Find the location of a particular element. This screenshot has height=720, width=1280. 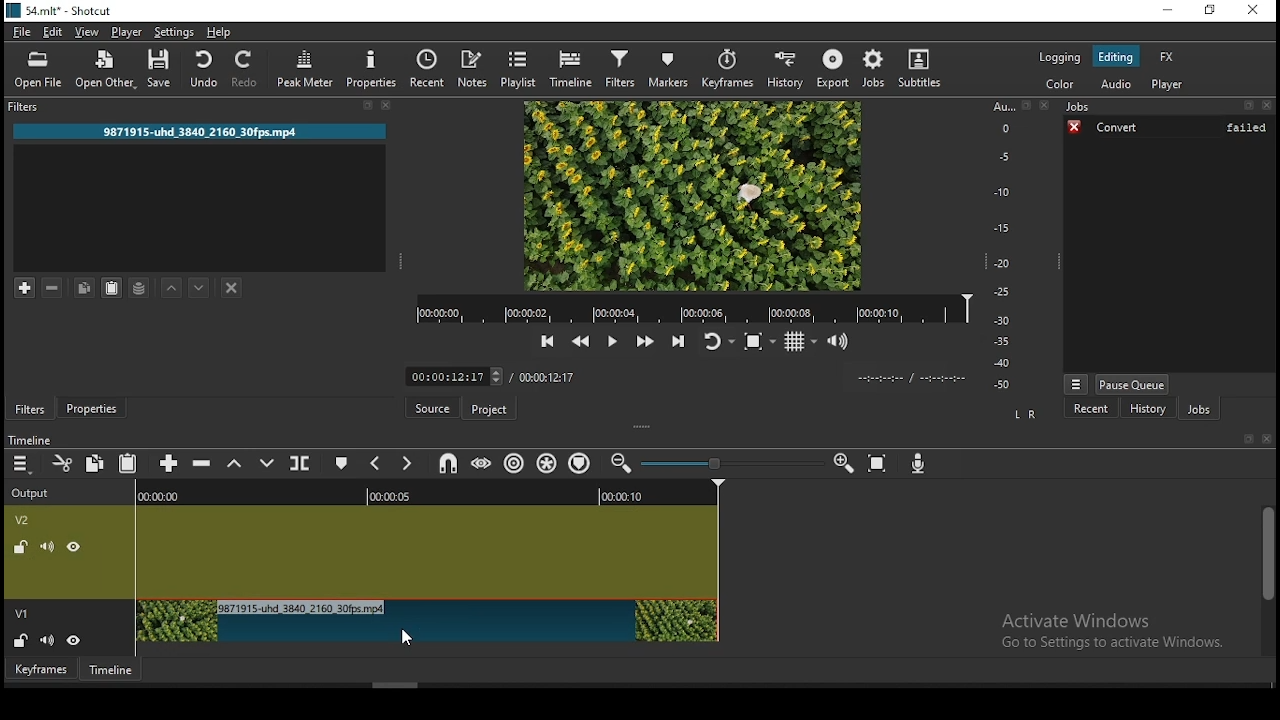

editing is located at coordinates (1121, 57).